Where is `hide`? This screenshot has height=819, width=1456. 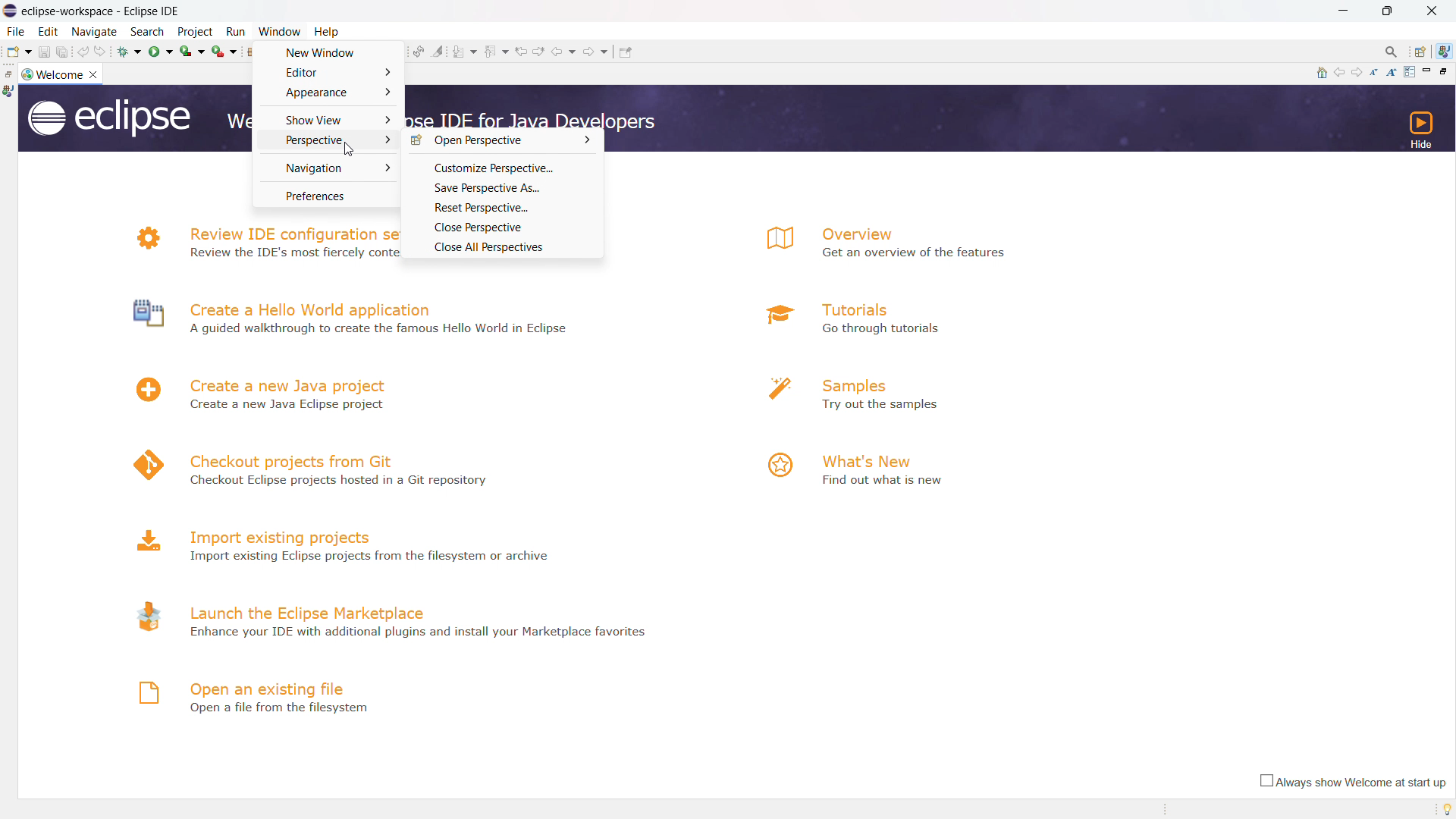 hide is located at coordinates (1419, 129).